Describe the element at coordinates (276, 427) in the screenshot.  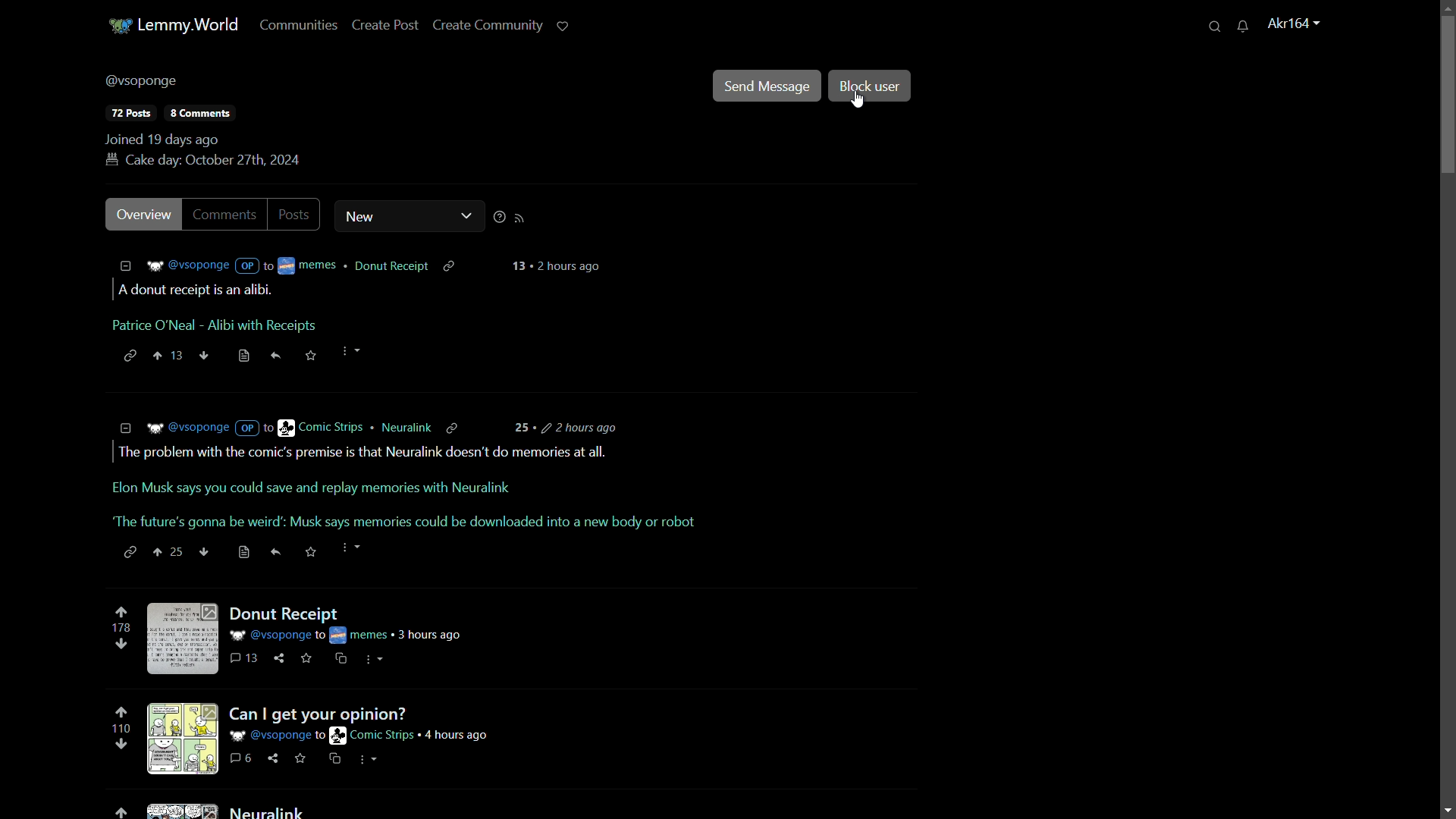
I see `details` at that location.